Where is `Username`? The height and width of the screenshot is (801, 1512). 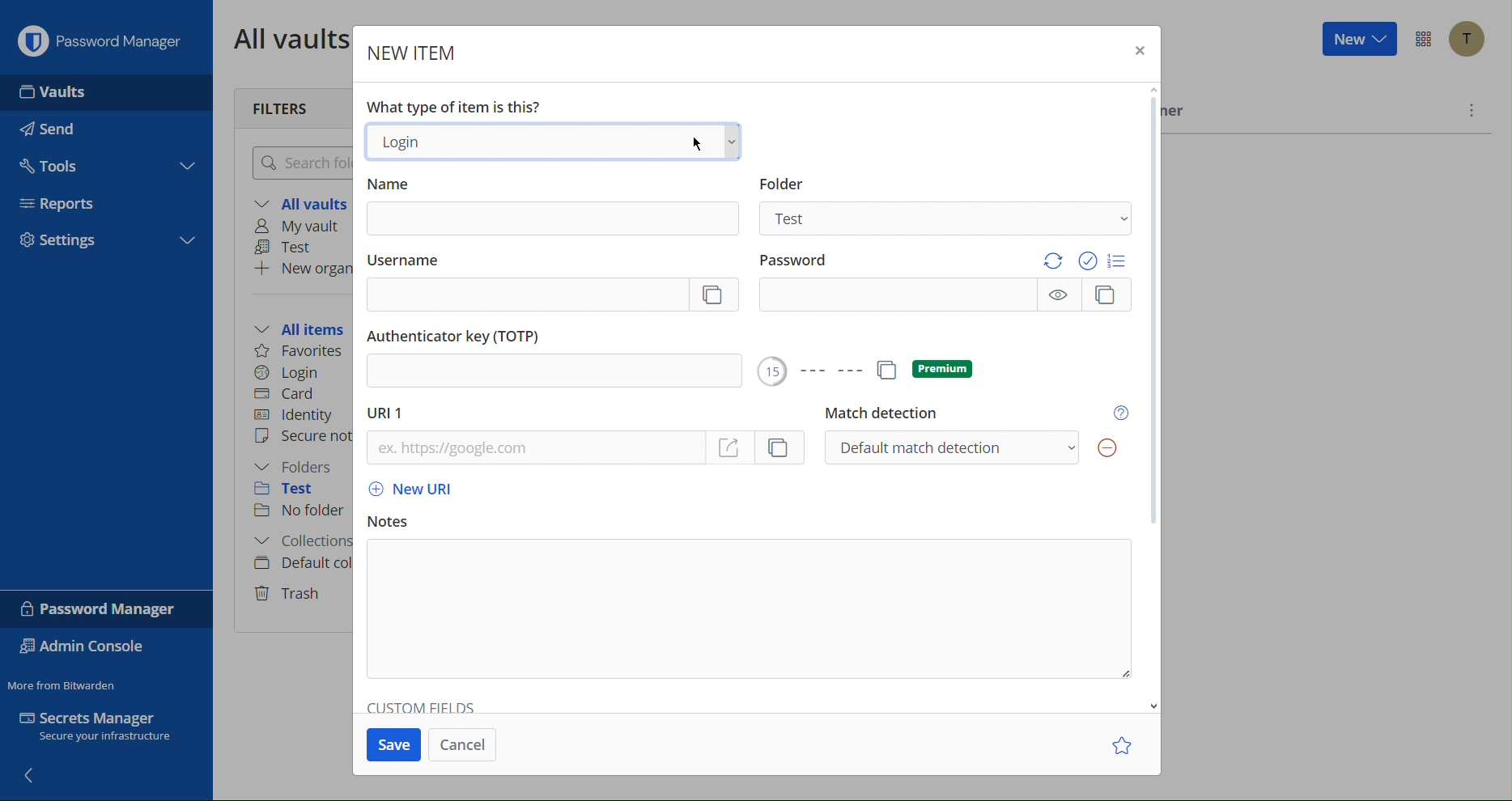 Username is located at coordinates (550, 298).